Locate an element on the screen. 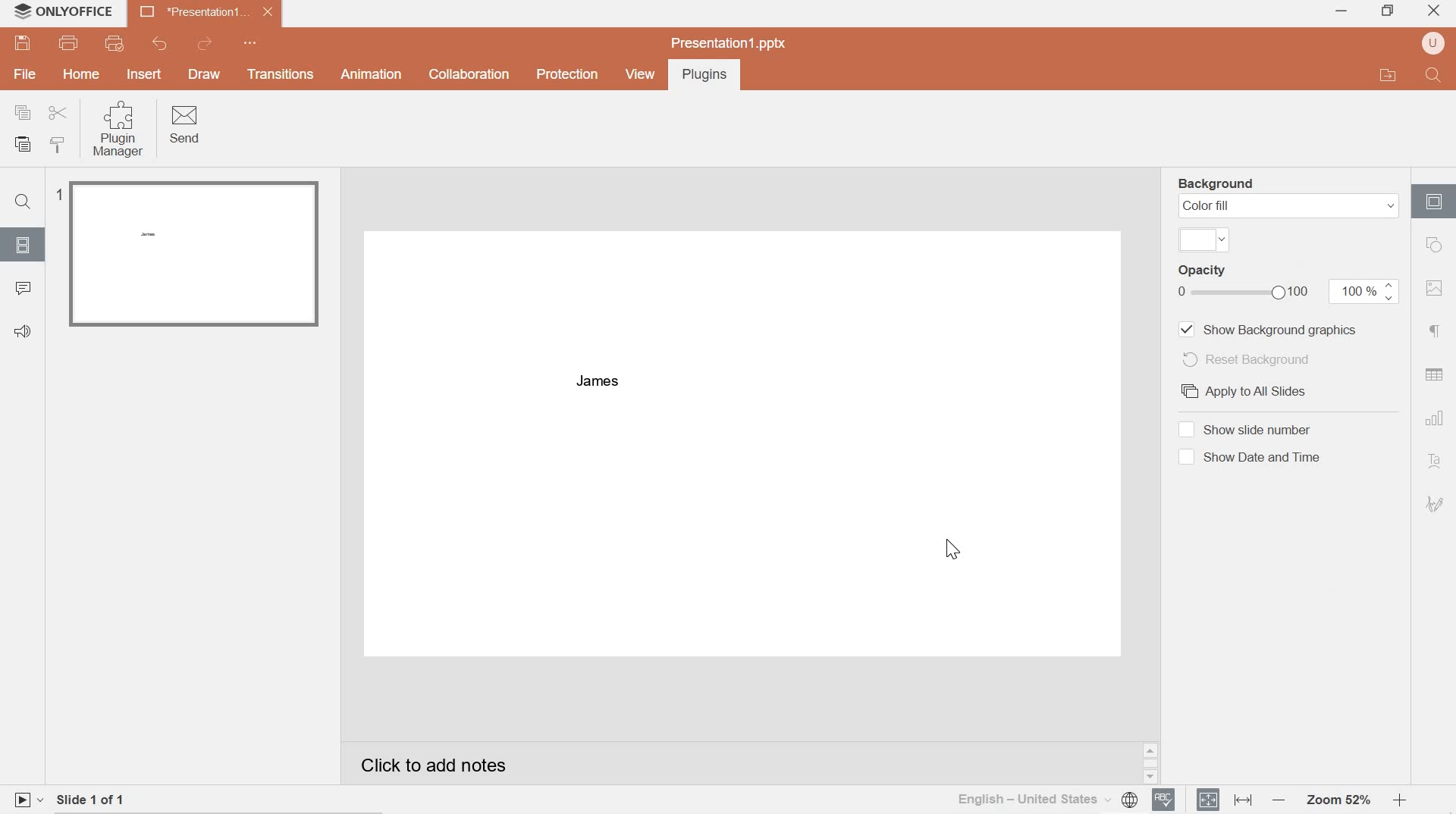  copy is located at coordinates (23, 112).